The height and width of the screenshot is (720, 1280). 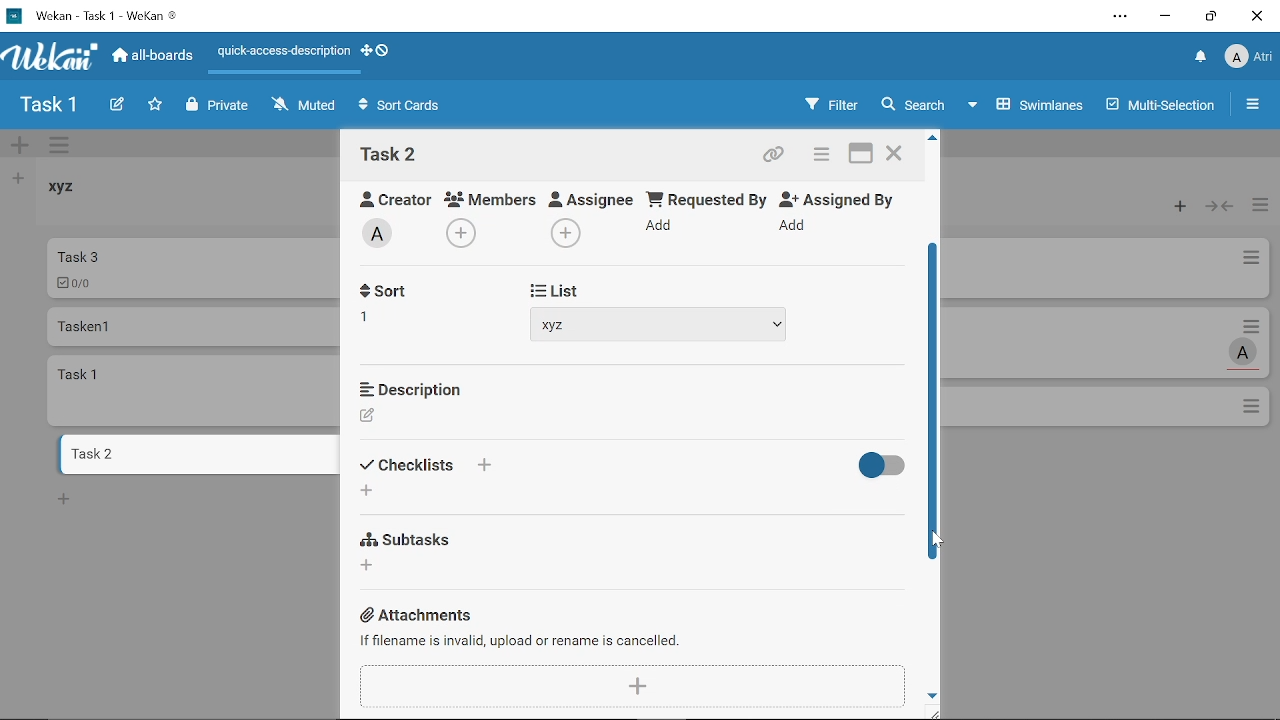 I want to click on Create, so click(x=116, y=106).